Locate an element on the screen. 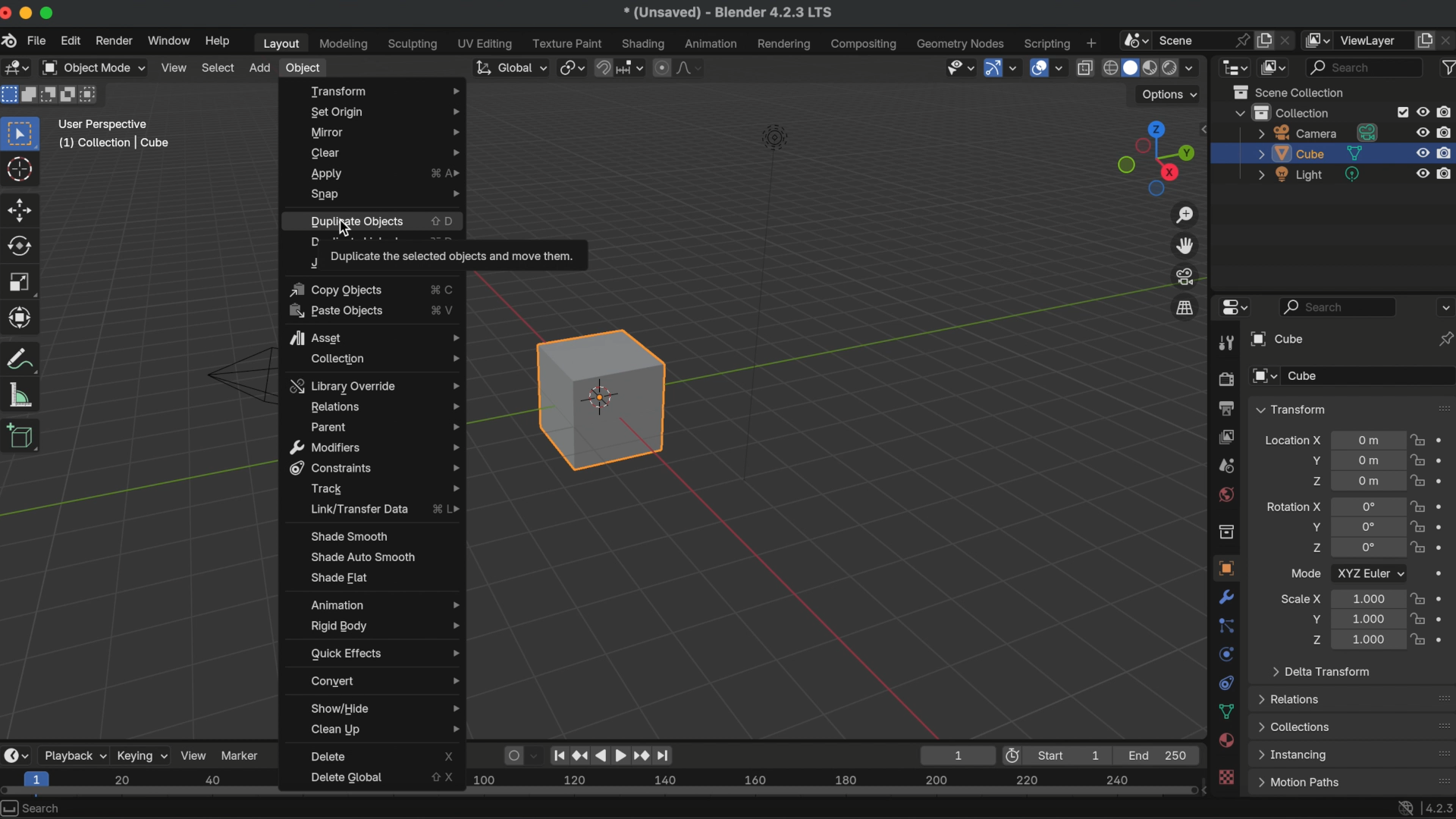  hide in viewport is located at coordinates (1423, 110).